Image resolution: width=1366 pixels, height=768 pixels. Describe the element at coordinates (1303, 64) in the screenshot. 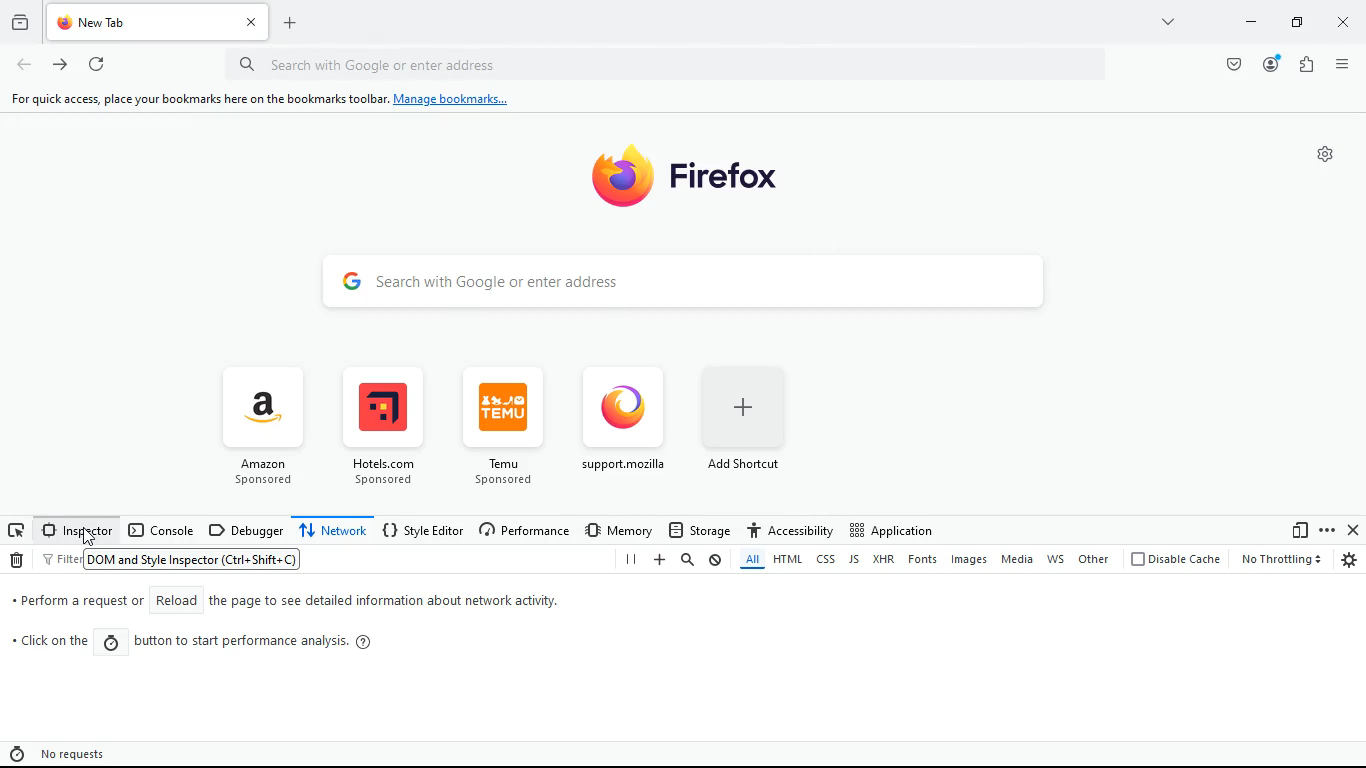

I see `extensions` at that location.